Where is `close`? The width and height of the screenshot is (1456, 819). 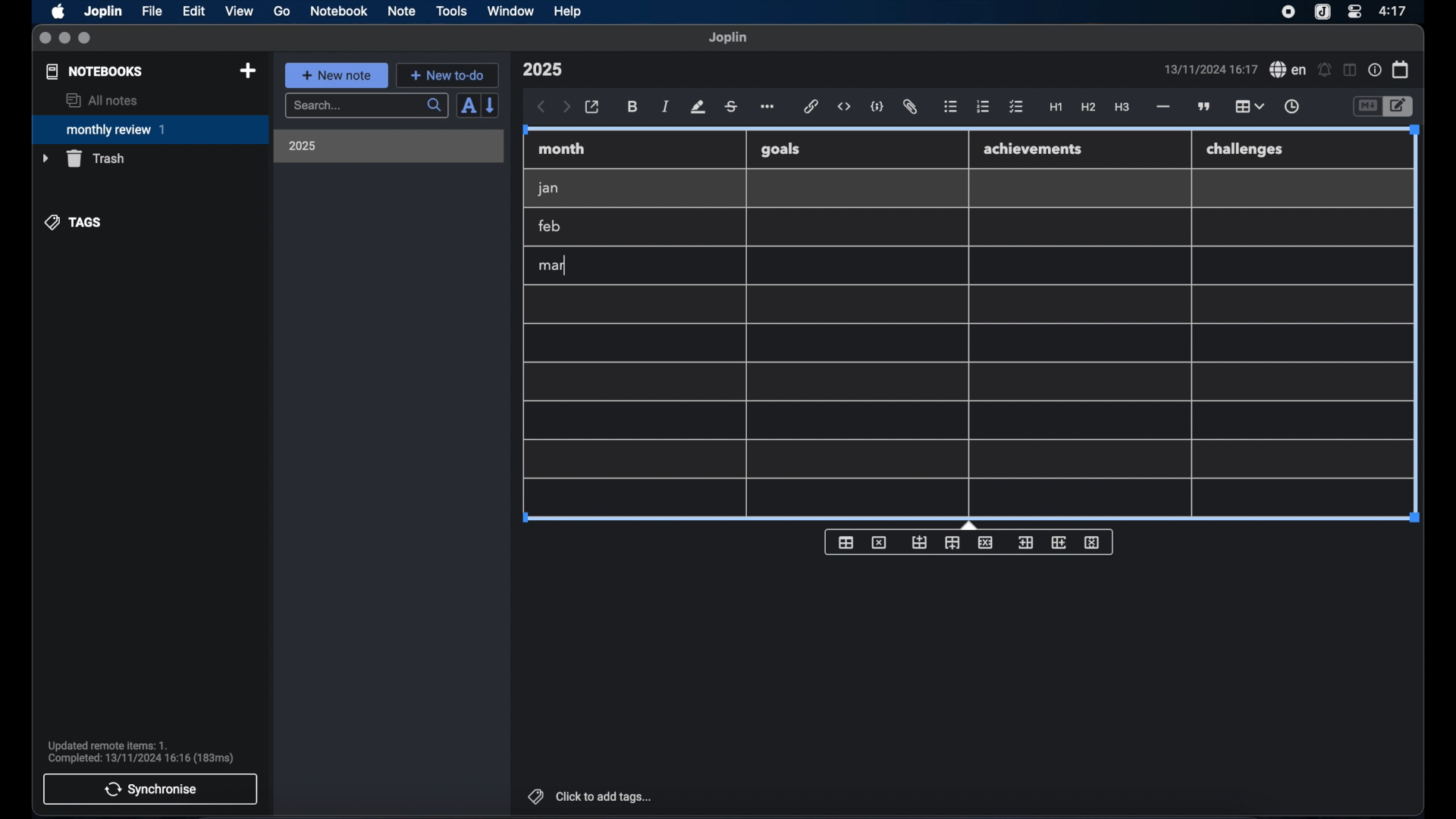 close is located at coordinates (45, 39).